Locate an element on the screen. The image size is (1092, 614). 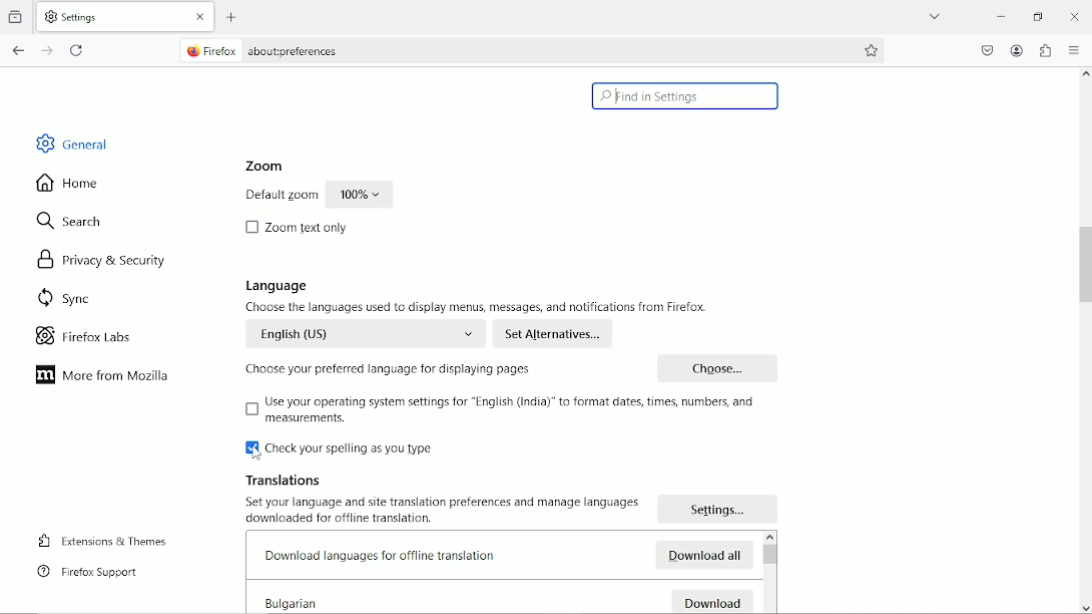
Go back is located at coordinates (18, 49).